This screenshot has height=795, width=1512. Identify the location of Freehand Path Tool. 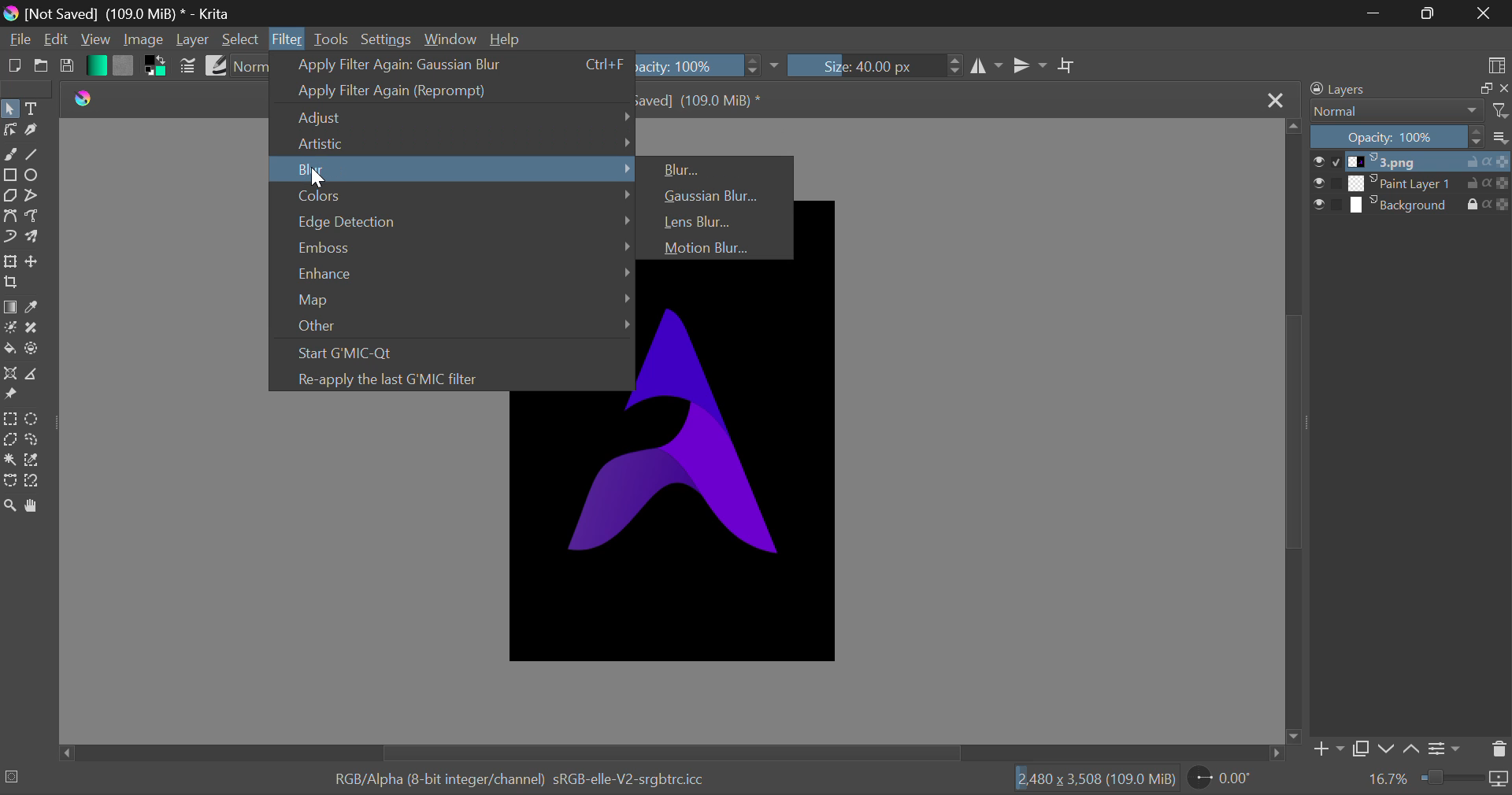
(33, 215).